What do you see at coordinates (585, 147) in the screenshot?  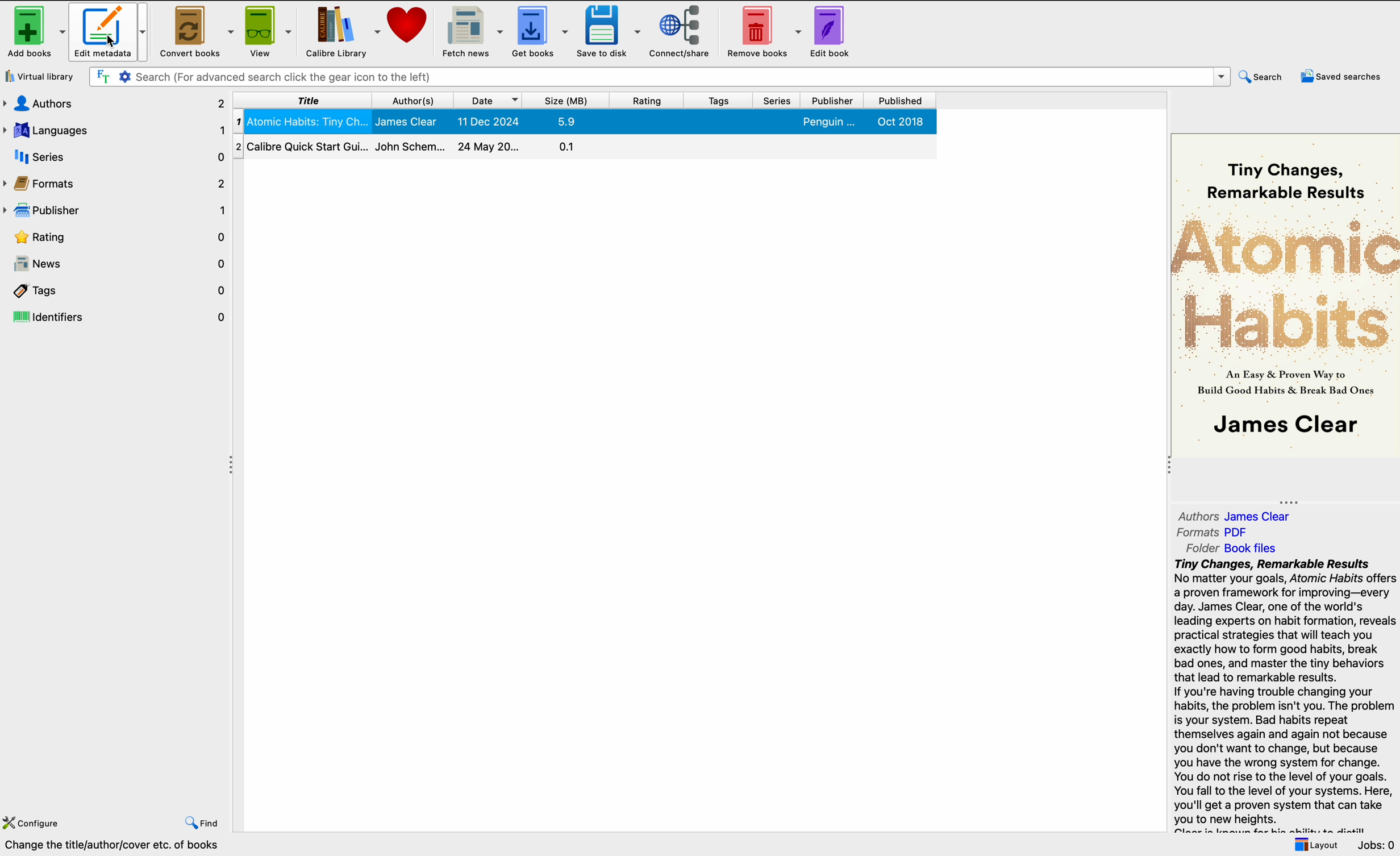 I see `second book` at bounding box center [585, 147].